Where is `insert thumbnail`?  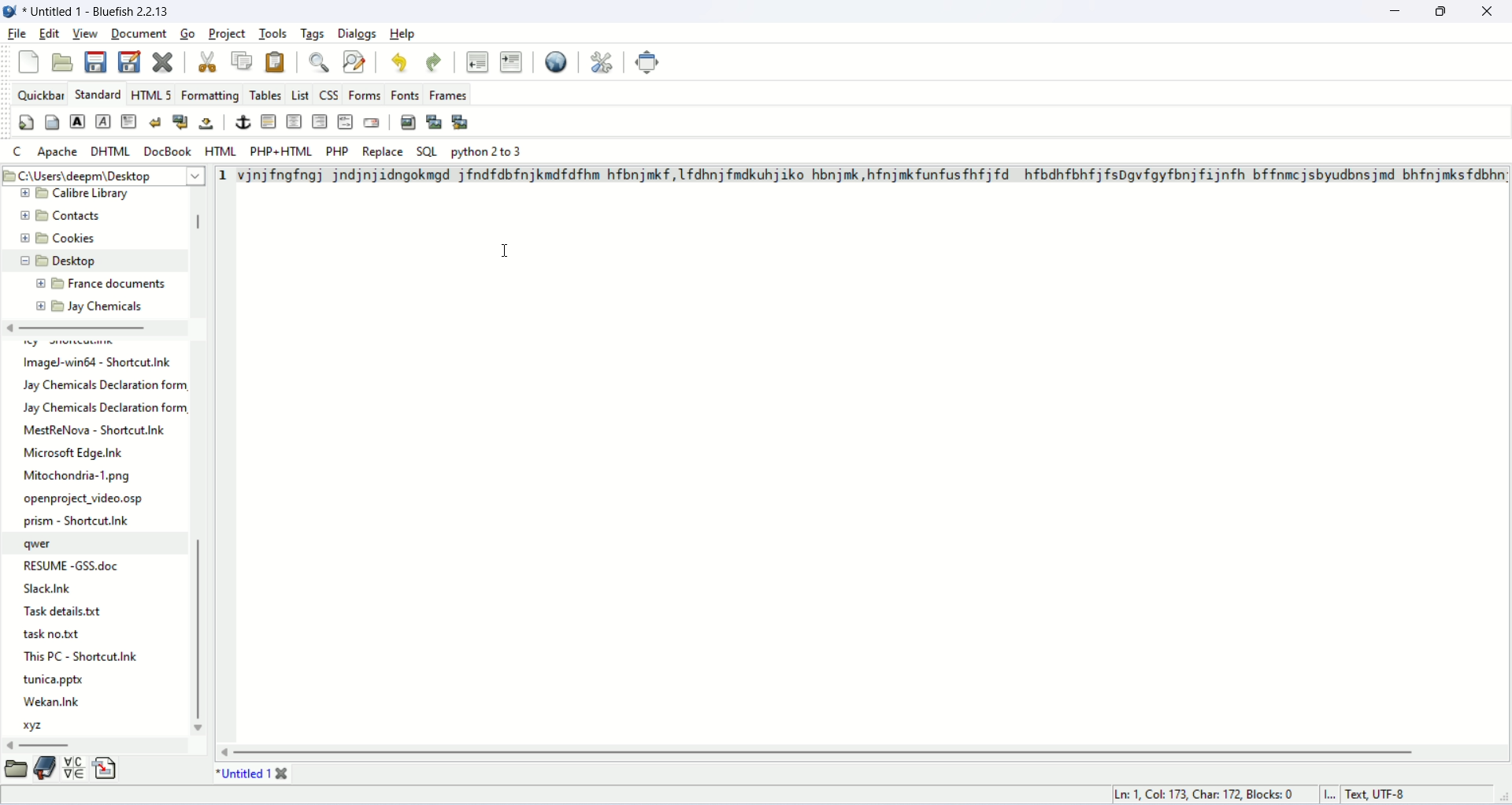 insert thumbnail is located at coordinates (435, 121).